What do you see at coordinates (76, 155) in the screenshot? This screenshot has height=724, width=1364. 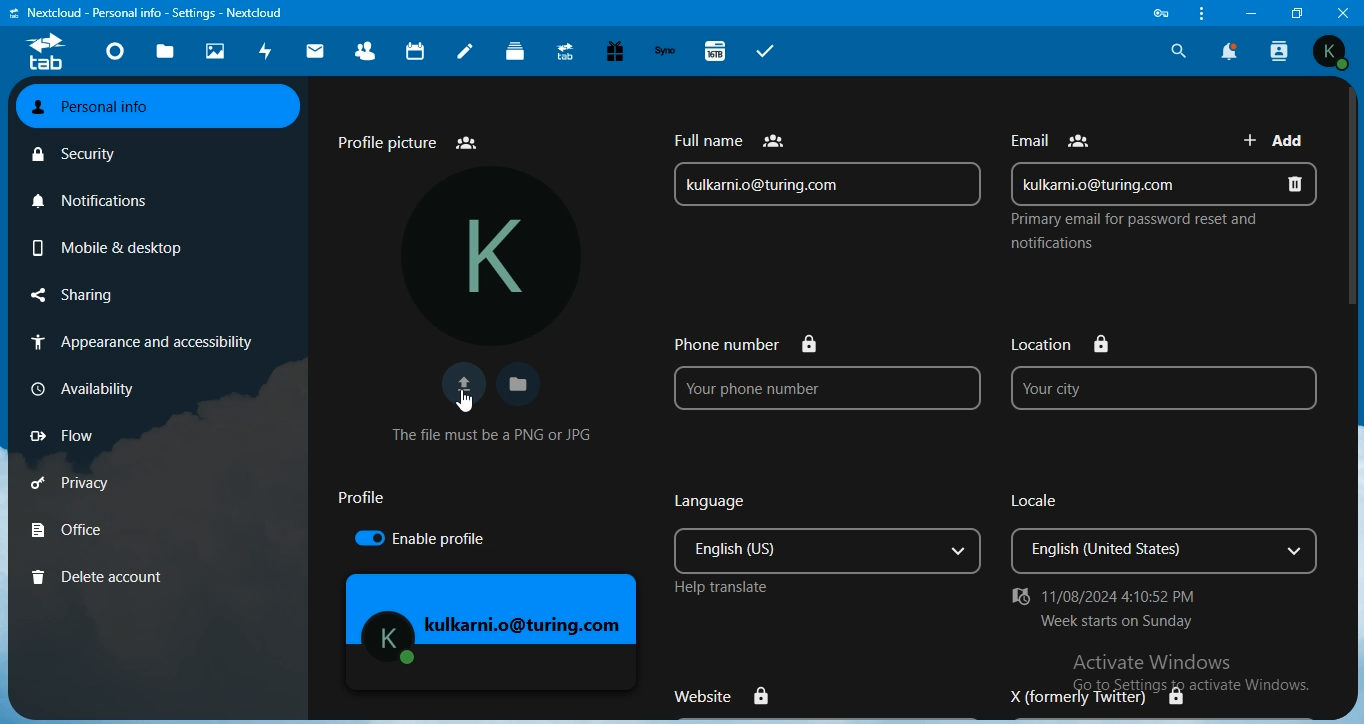 I see `security` at bounding box center [76, 155].